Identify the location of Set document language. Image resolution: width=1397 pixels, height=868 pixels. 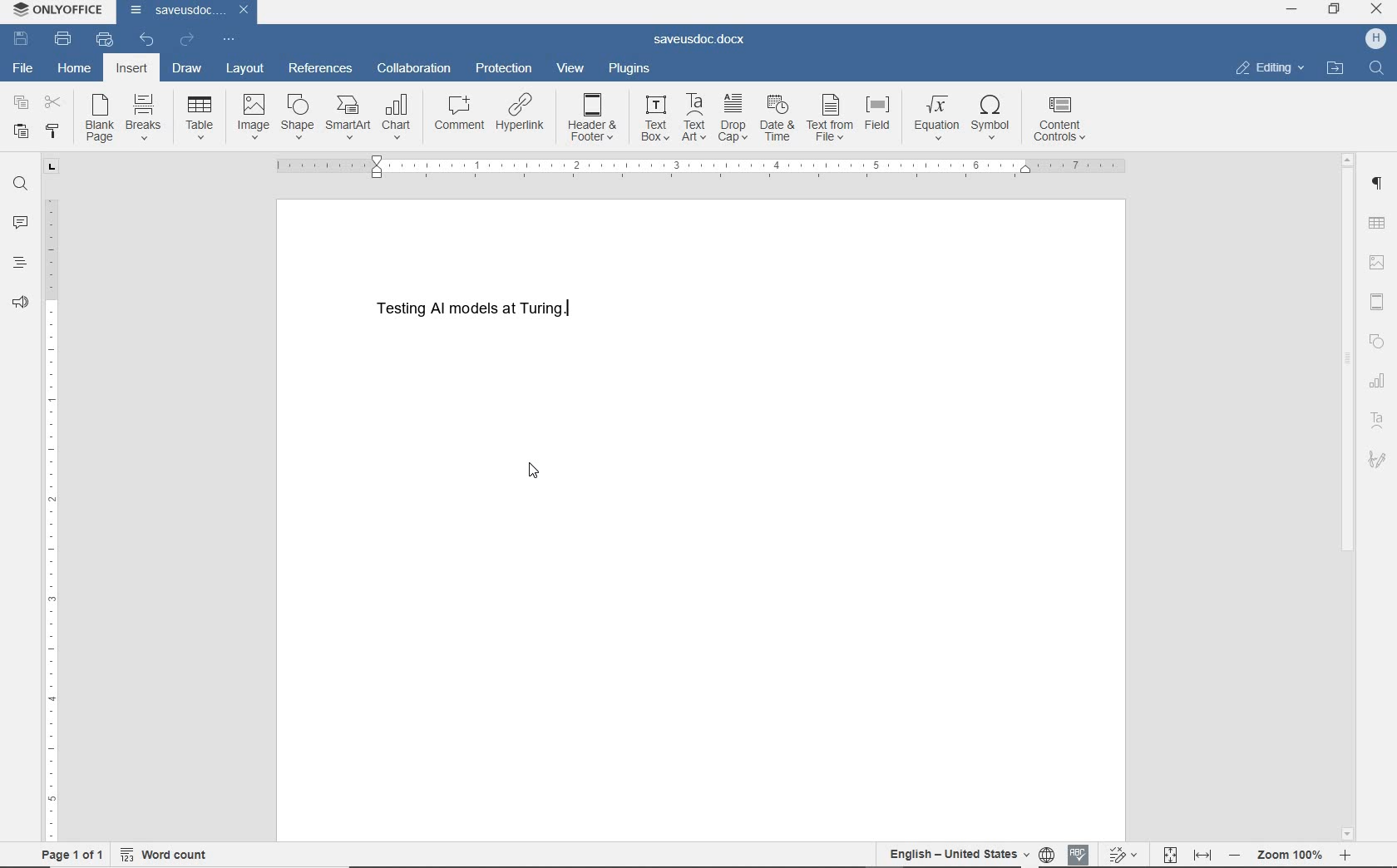
(1046, 855).